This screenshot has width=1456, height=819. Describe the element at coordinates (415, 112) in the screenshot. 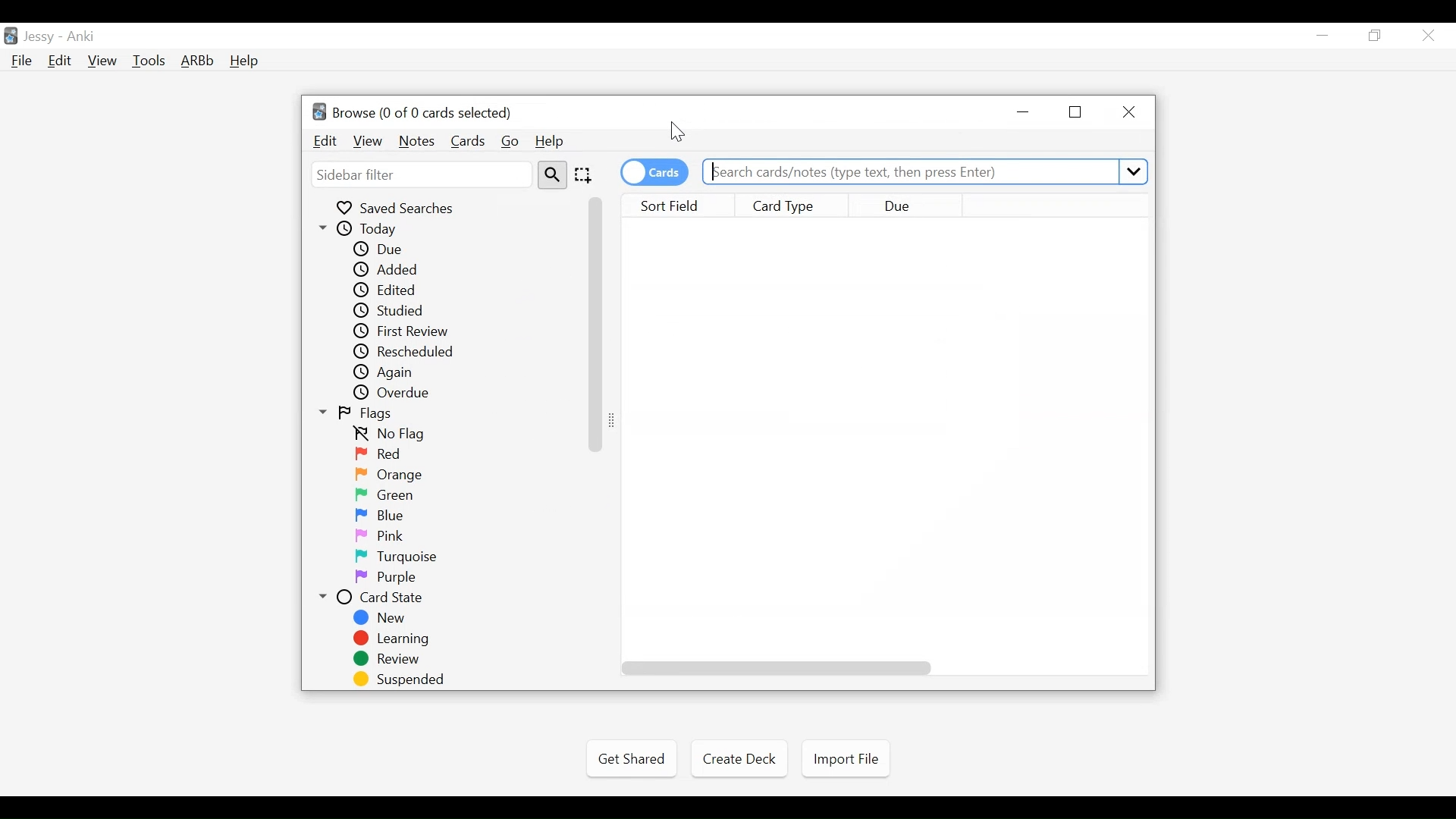

I see `Browse (number of cards selected)` at that location.